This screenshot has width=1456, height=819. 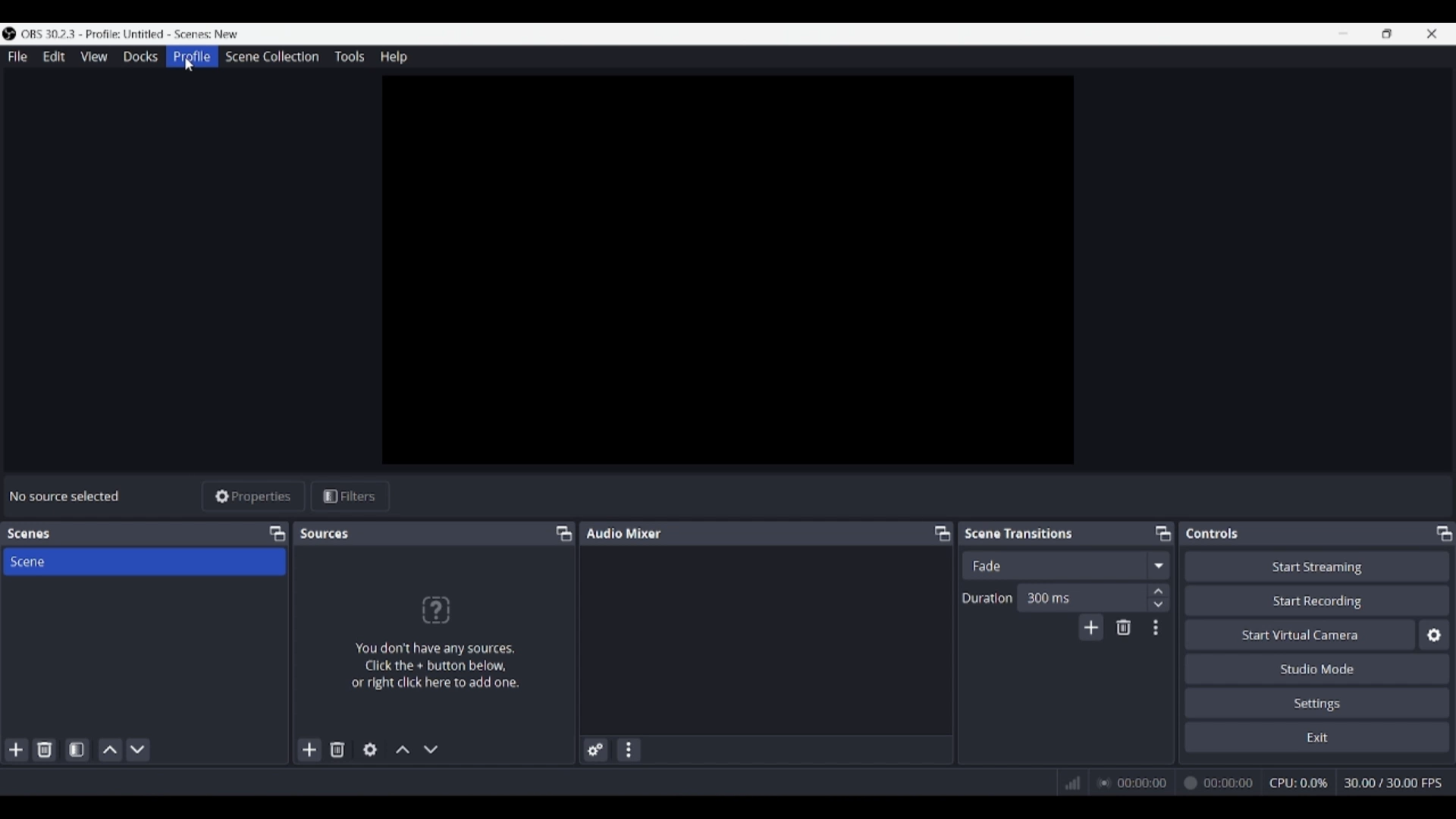 What do you see at coordinates (394, 57) in the screenshot?
I see `Help menu` at bounding box center [394, 57].